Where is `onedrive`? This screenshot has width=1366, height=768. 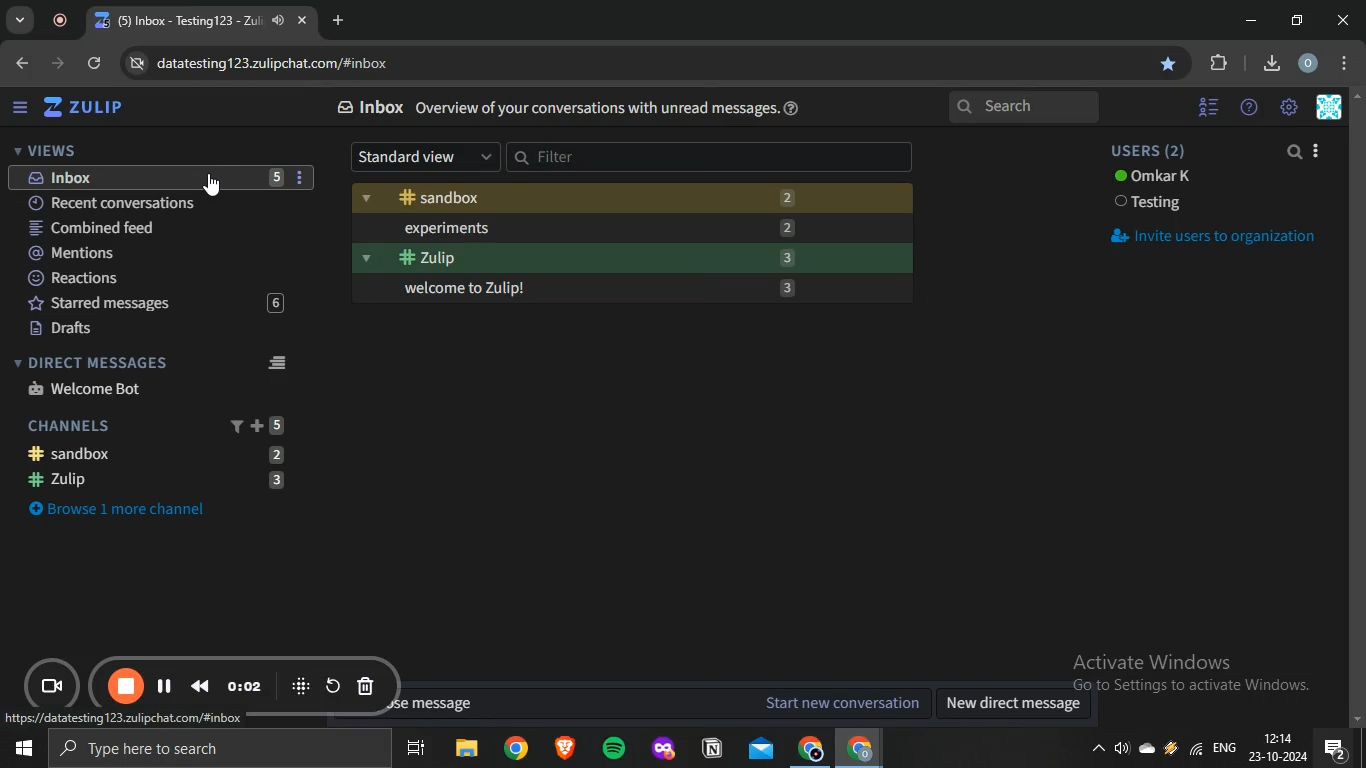 onedrive is located at coordinates (1150, 750).